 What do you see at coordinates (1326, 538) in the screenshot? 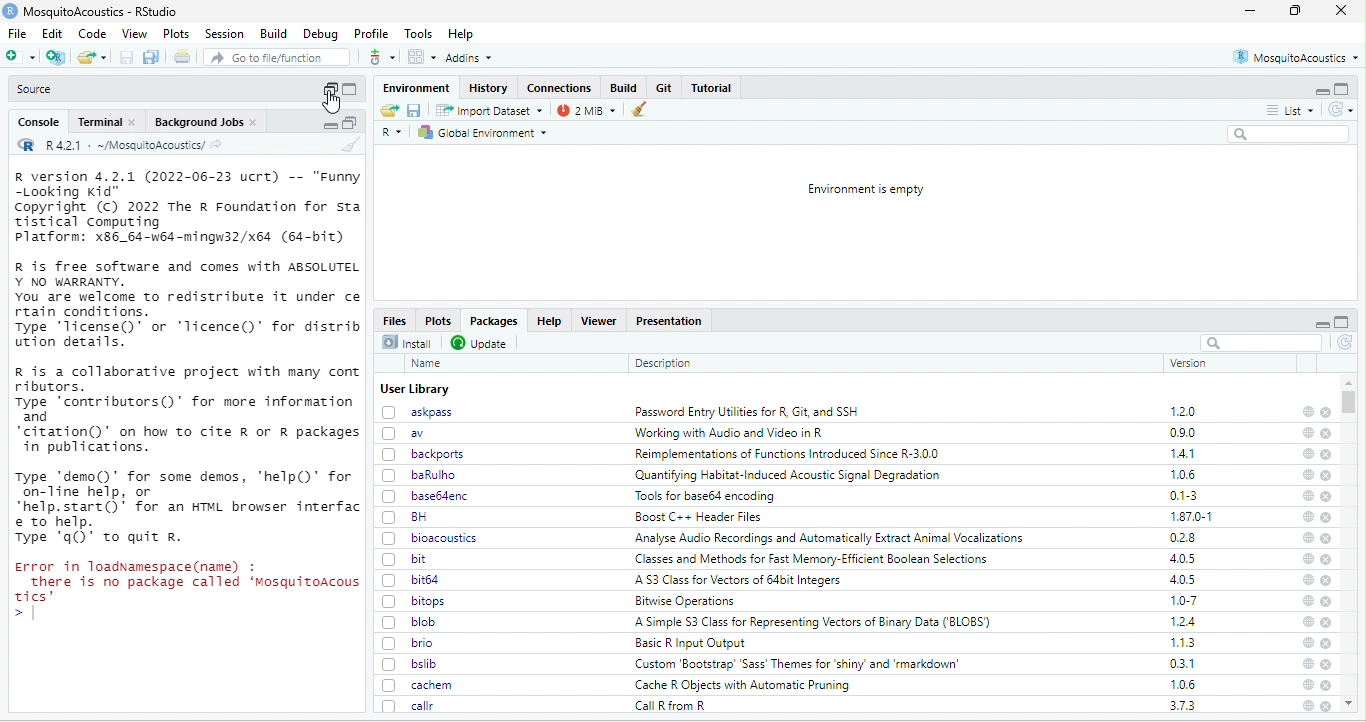
I see `close` at bounding box center [1326, 538].